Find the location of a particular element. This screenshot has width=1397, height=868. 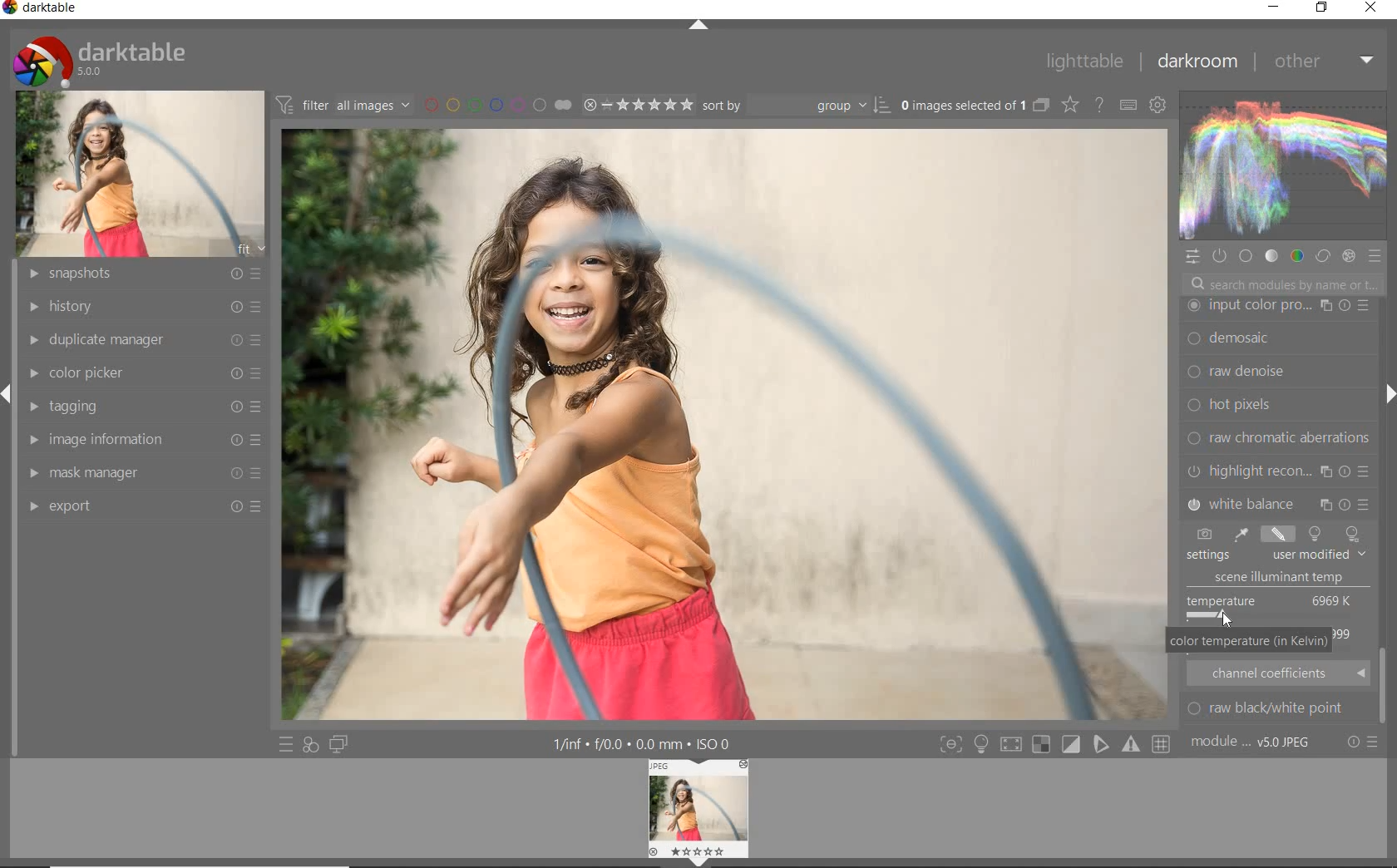

other interface details is located at coordinates (644, 745).